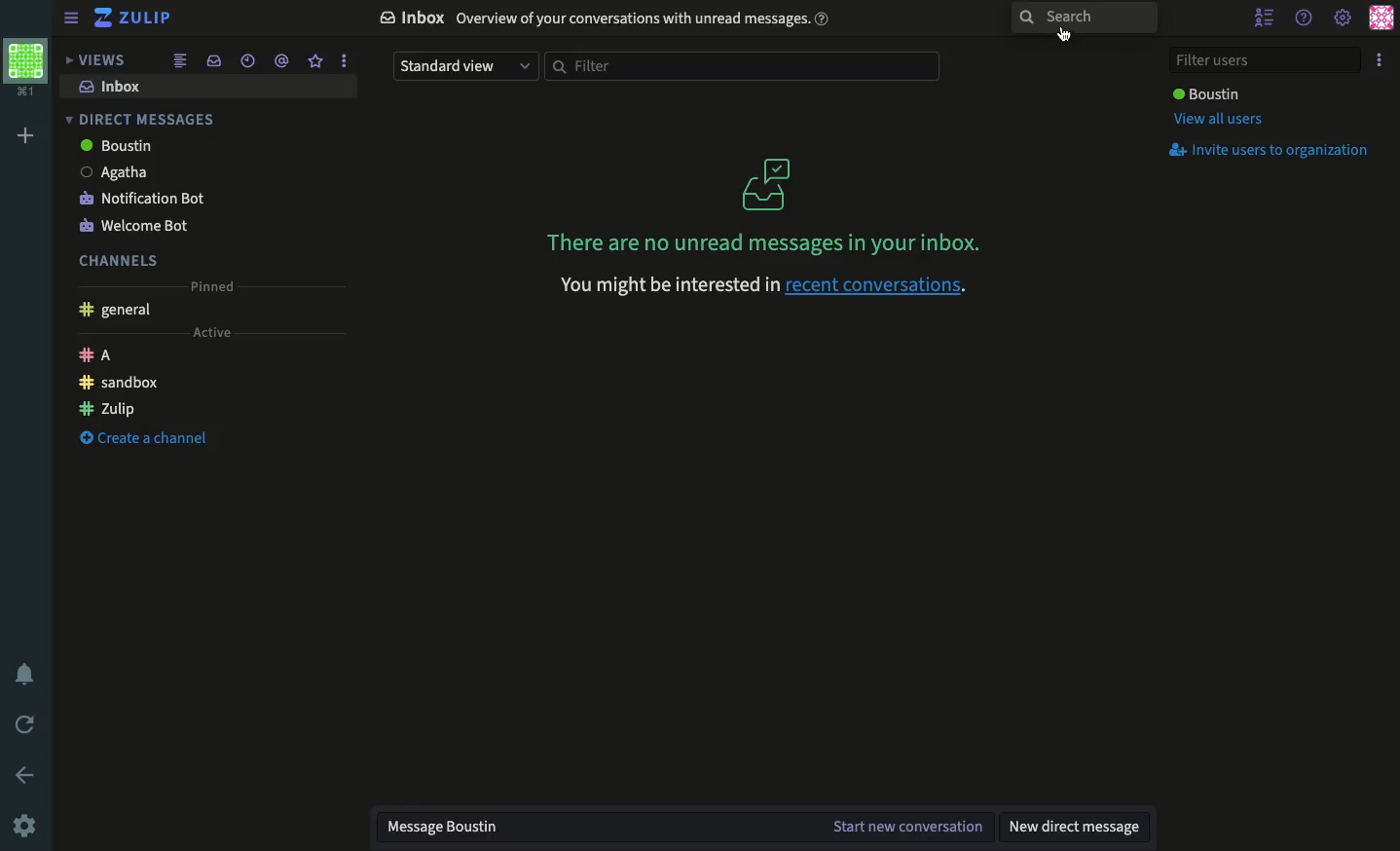 The image size is (1400, 851). What do you see at coordinates (1344, 17) in the screenshot?
I see `Settings` at bounding box center [1344, 17].